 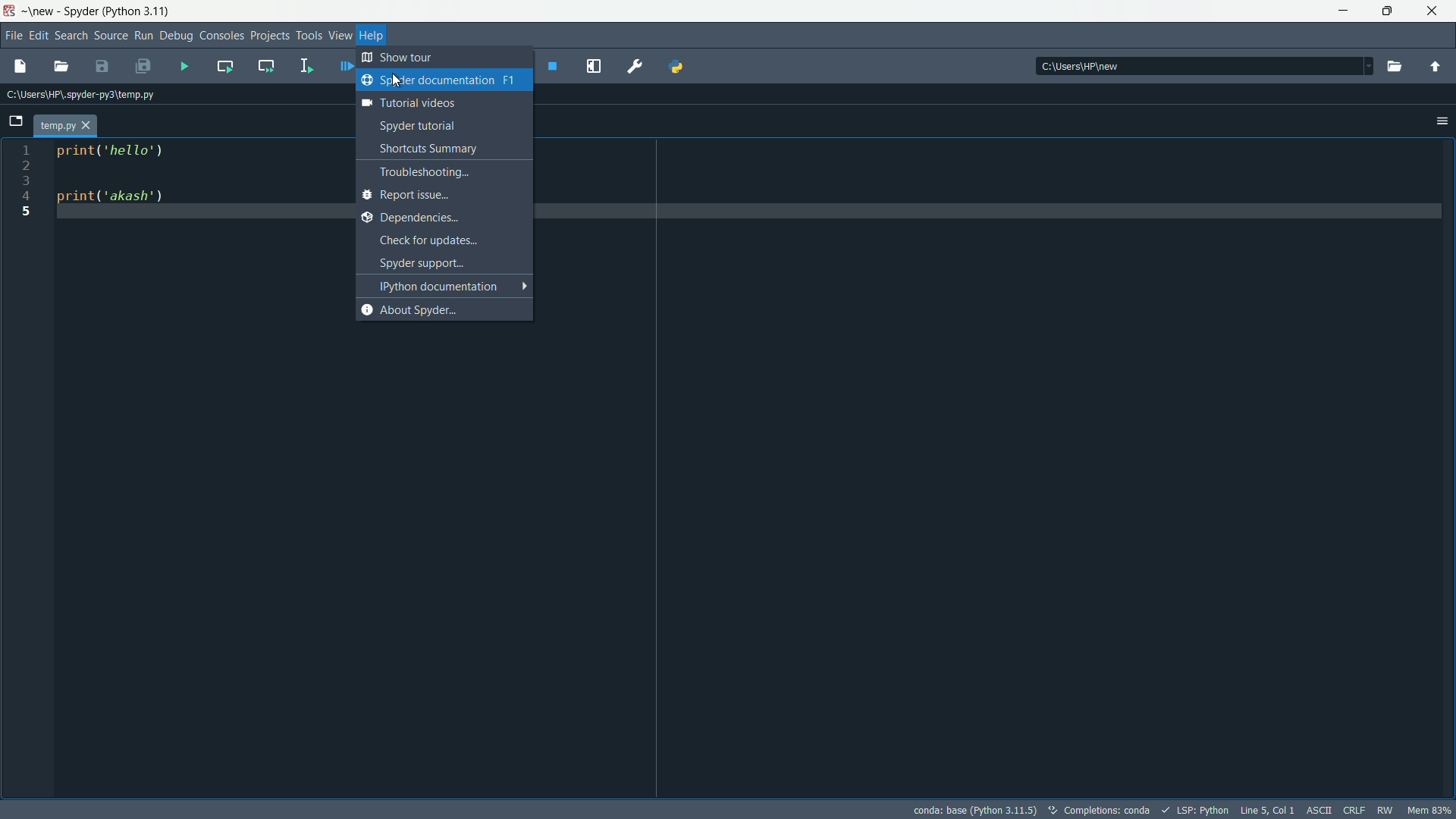 I want to click on help menu, so click(x=372, y=36).